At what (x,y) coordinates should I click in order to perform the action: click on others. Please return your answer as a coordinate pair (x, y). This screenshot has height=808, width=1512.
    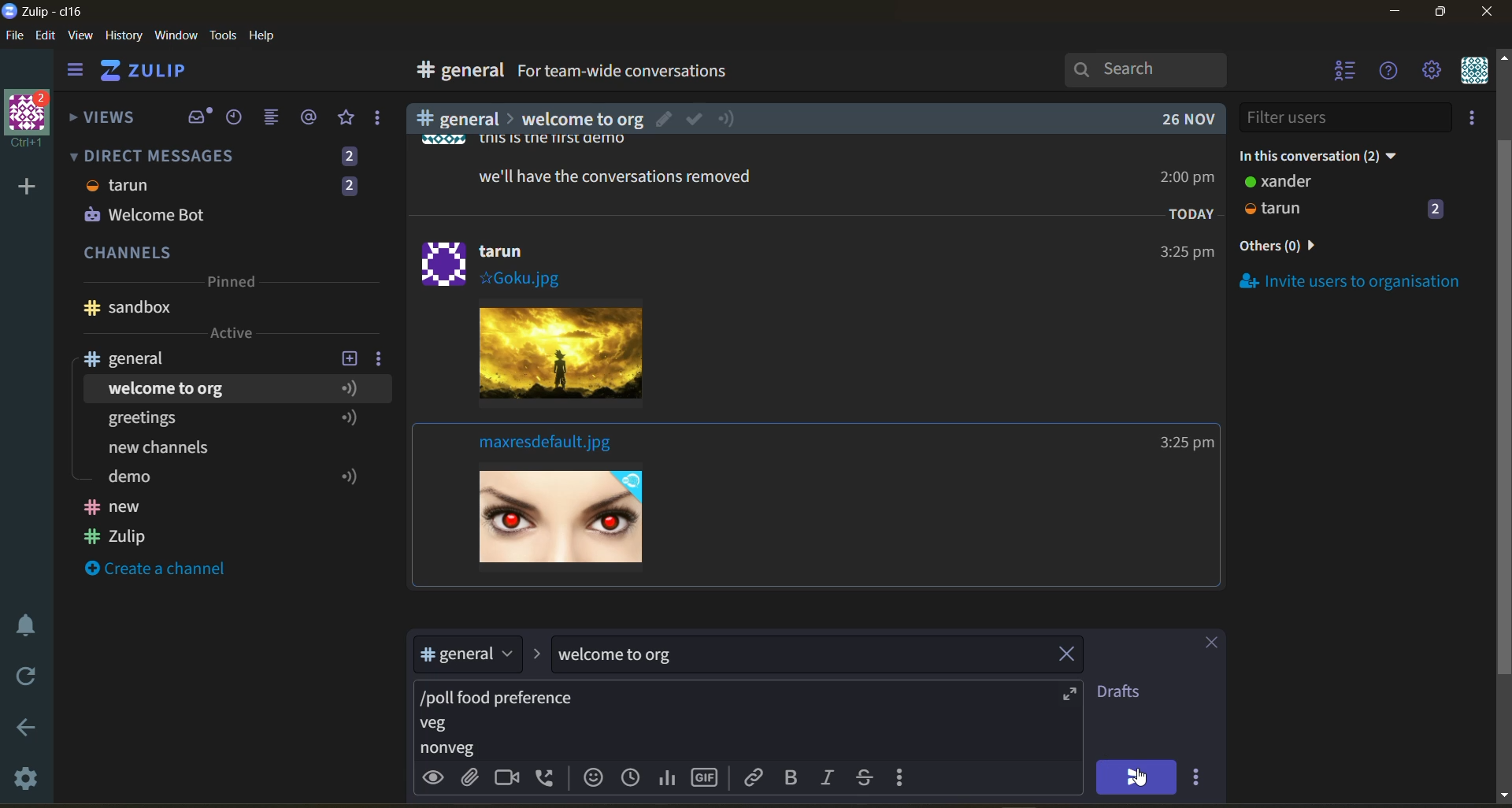
    Looking at the image, I should click on (1303, 247).